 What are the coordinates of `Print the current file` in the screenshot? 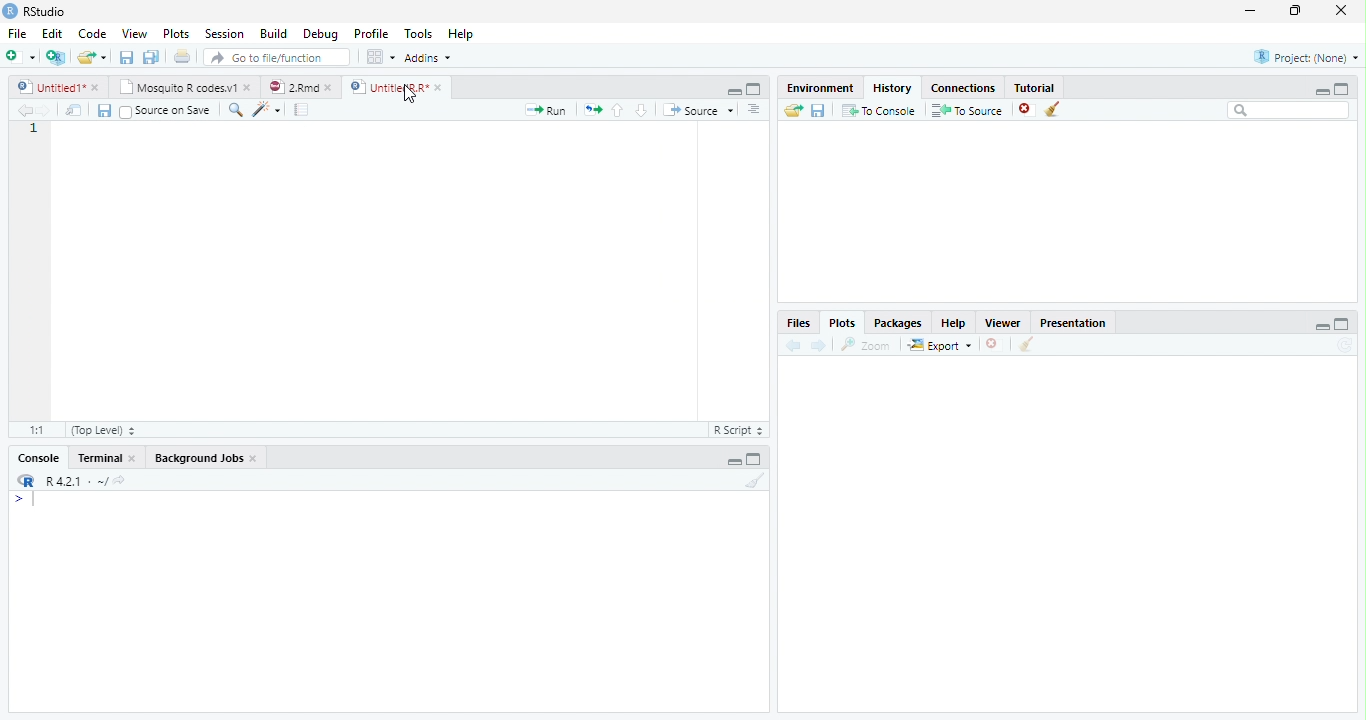 It's located at (181, 56).